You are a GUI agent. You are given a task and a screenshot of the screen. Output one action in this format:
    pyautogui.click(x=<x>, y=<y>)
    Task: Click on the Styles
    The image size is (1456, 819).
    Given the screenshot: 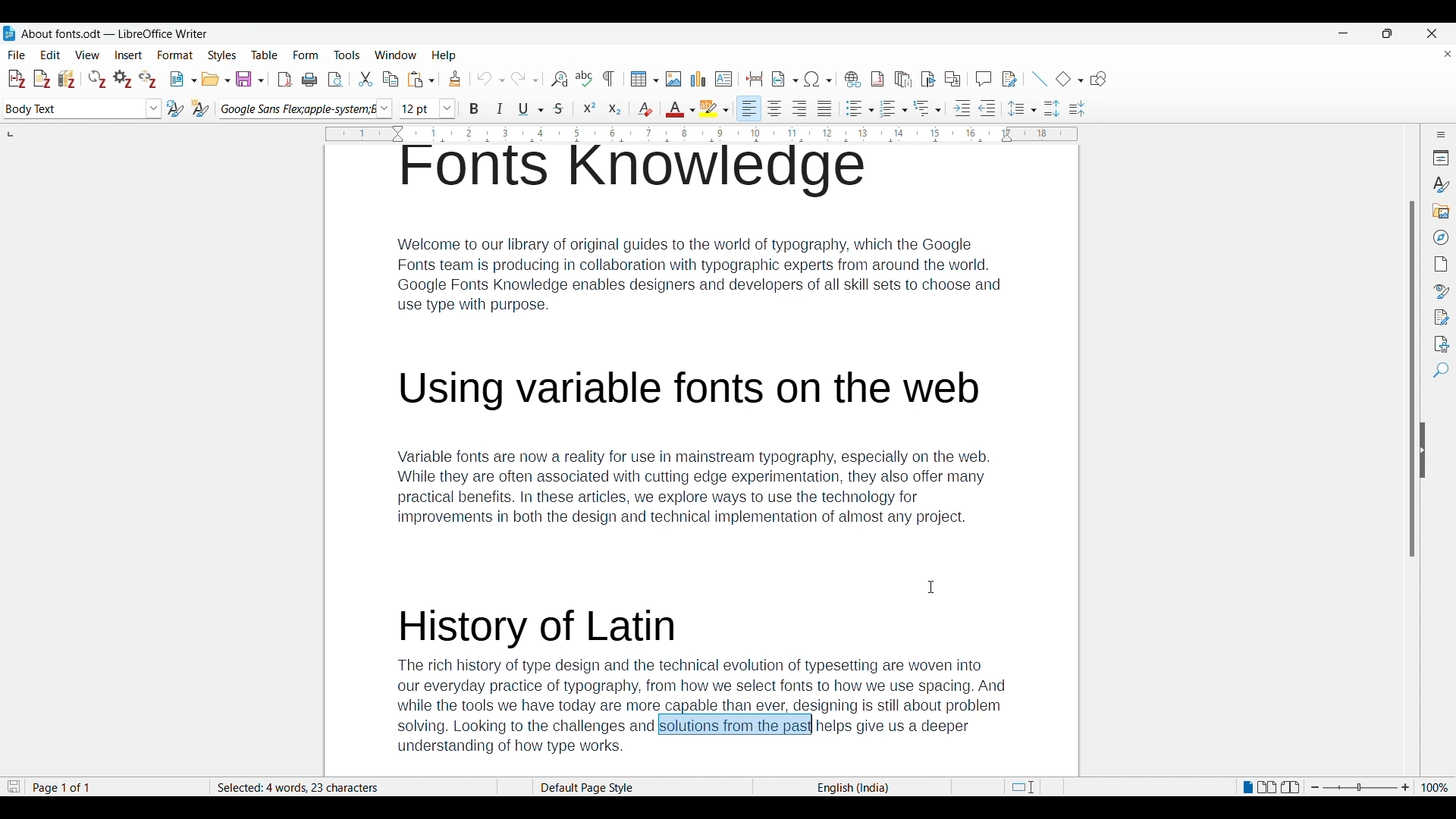 What is the action you would take?
    pyautogui.click(x=1439, y=184)
    